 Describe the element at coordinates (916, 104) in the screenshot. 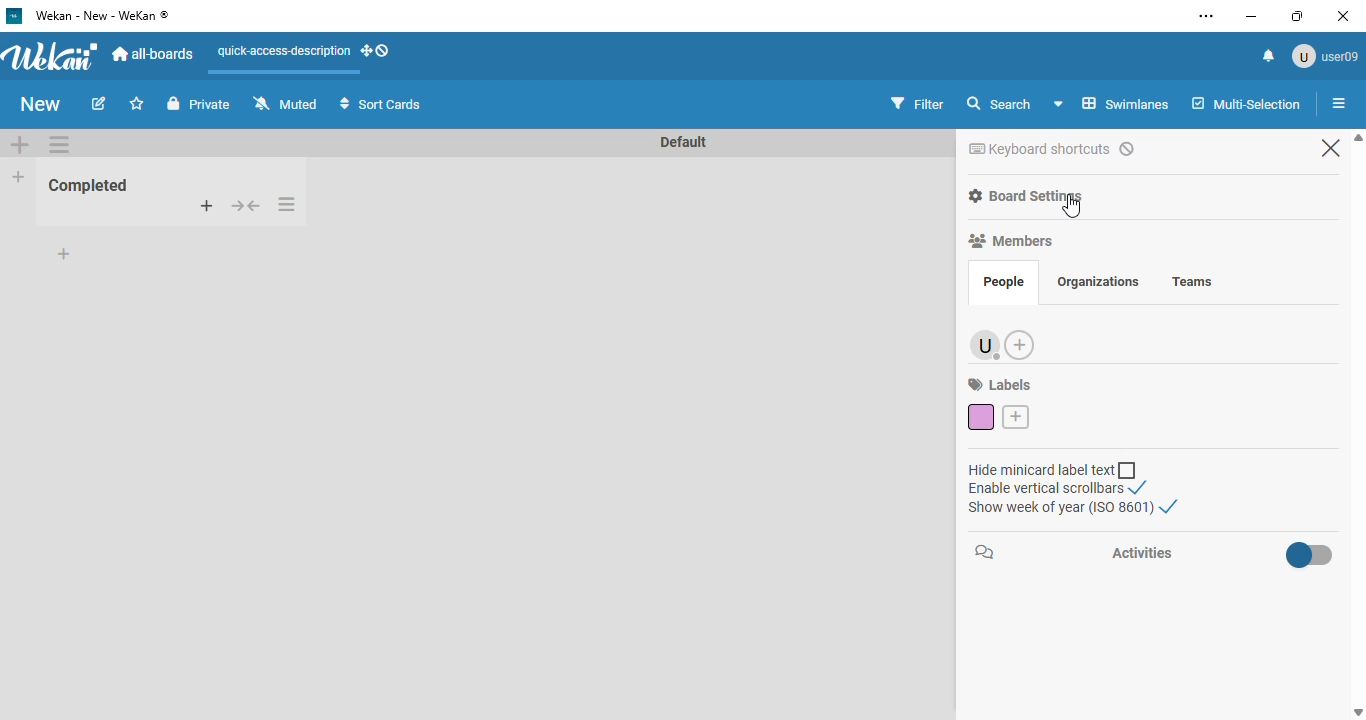

I see `filter` at that location.